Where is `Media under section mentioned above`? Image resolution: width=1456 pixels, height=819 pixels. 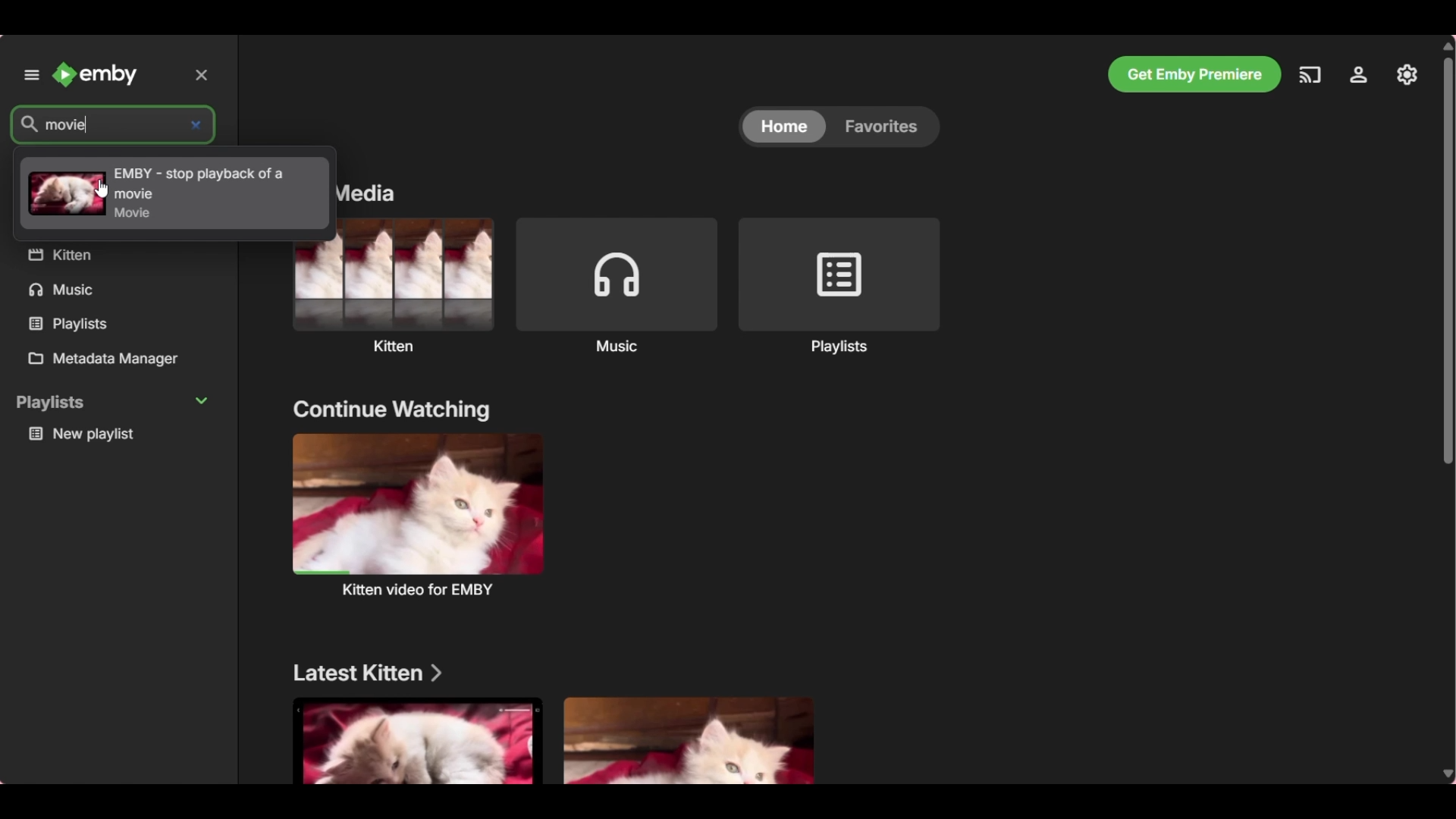 Media under section mentioned above is located at coordinates (417, 742).